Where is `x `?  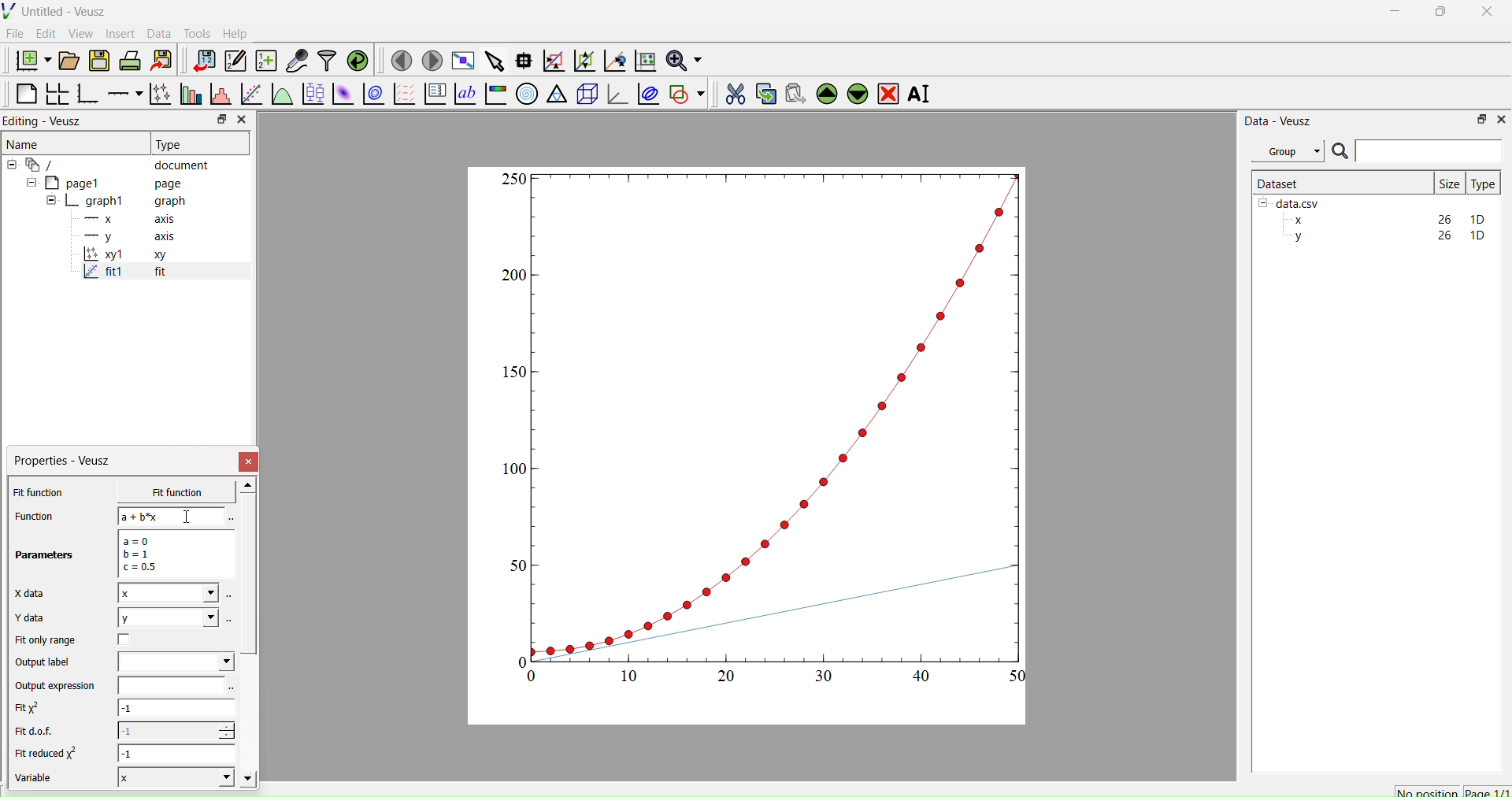 x  is located at coordinates (168, 593).